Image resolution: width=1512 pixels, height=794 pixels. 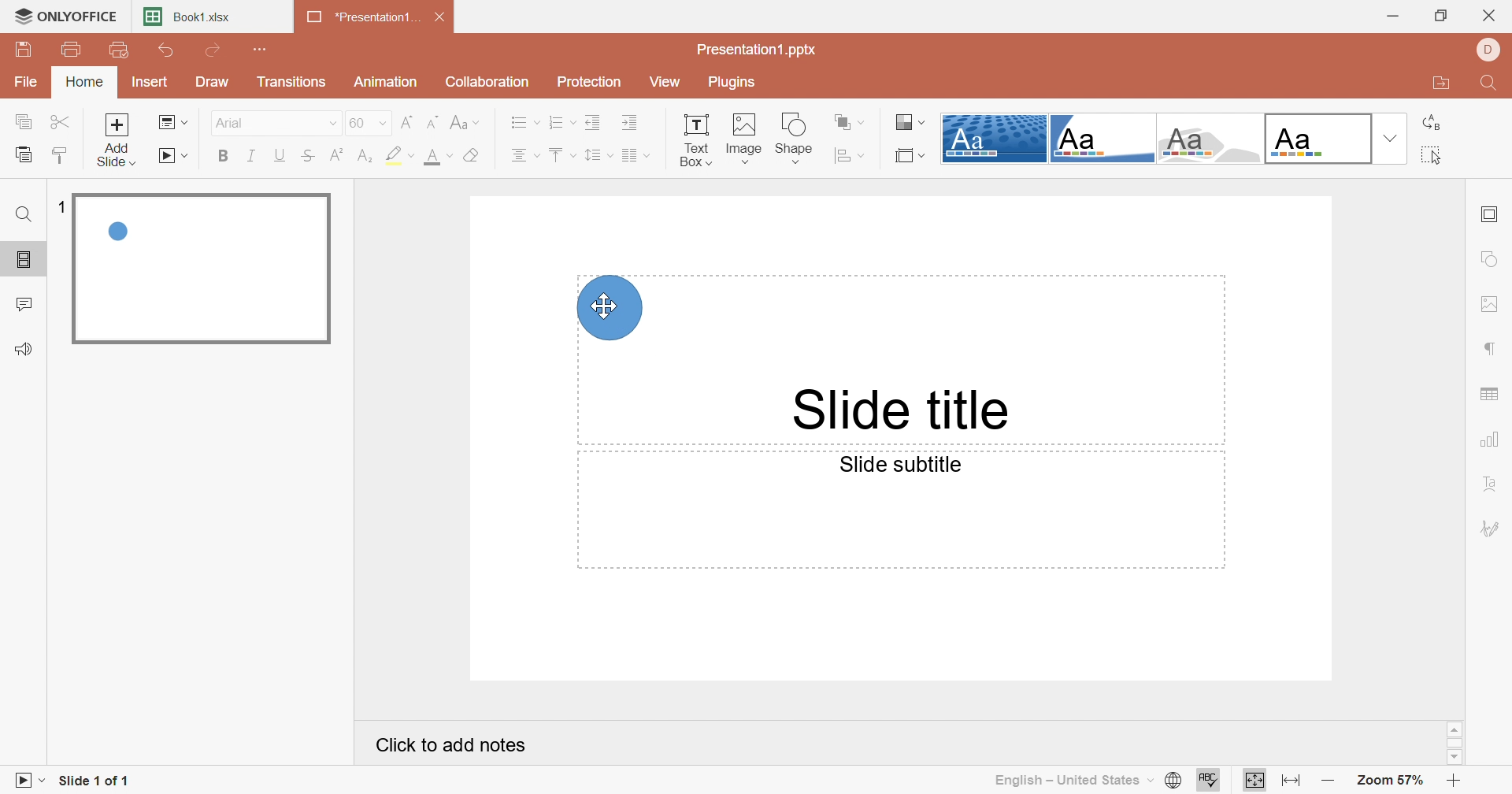 What do you see at coordinates (910, 121) in the screenshot?
I see `Change color theme` at bounding box center [910, 121].